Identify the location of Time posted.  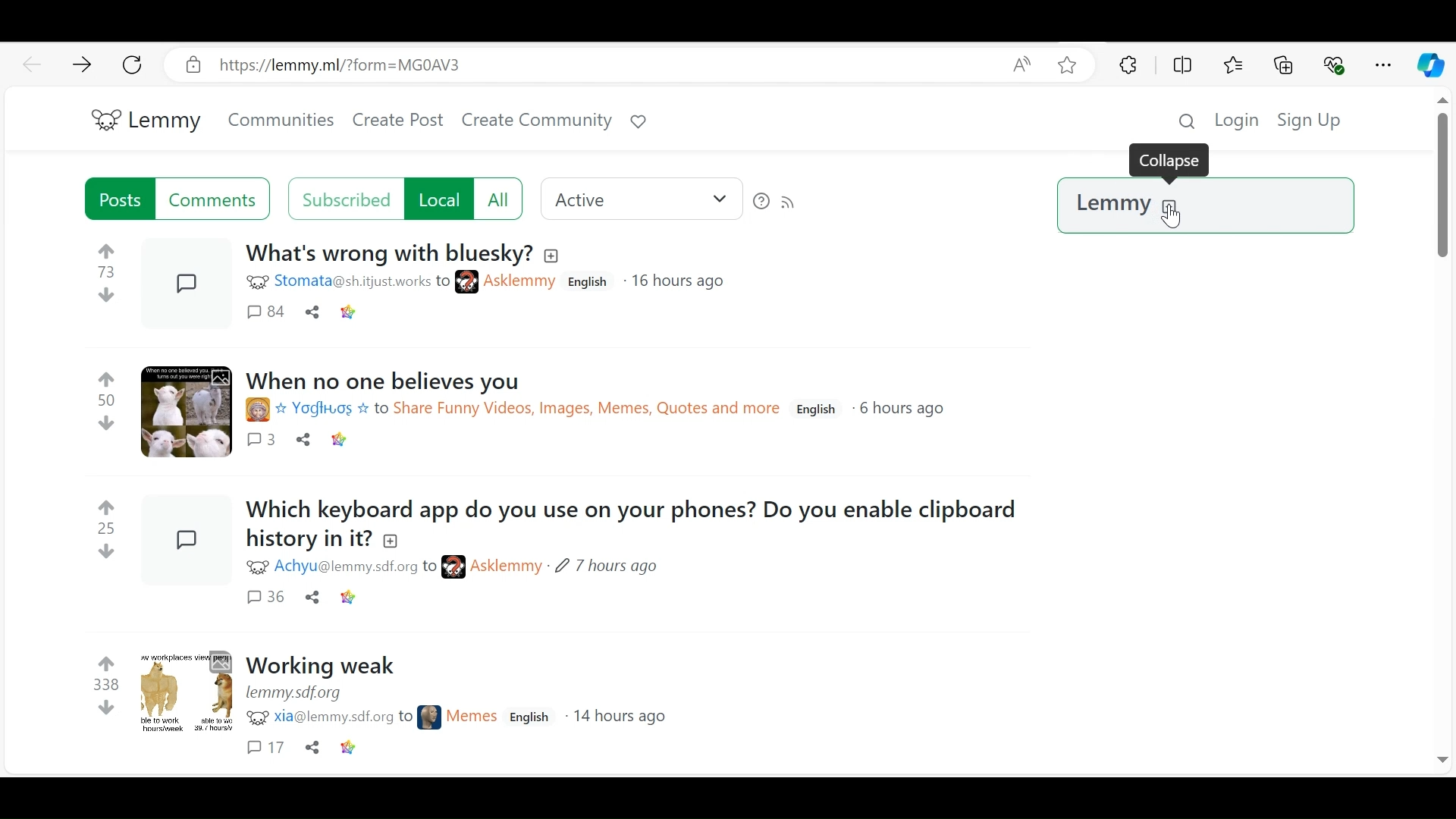
(607, 567).